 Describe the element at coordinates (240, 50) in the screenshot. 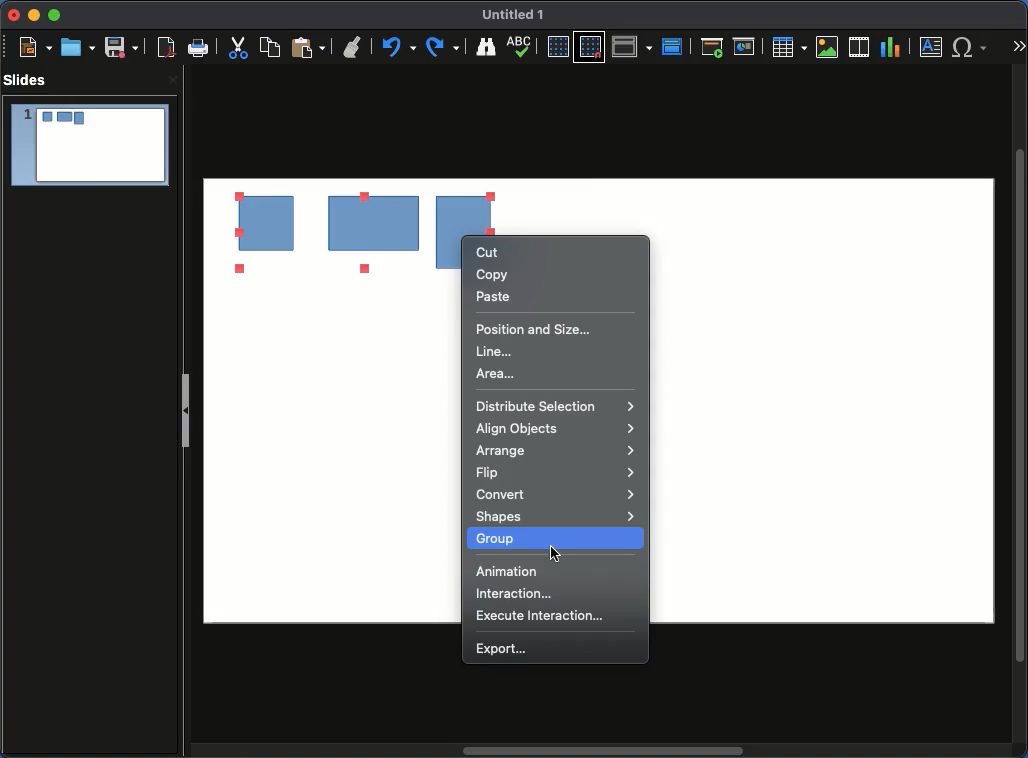

I see `Cute` at that location.